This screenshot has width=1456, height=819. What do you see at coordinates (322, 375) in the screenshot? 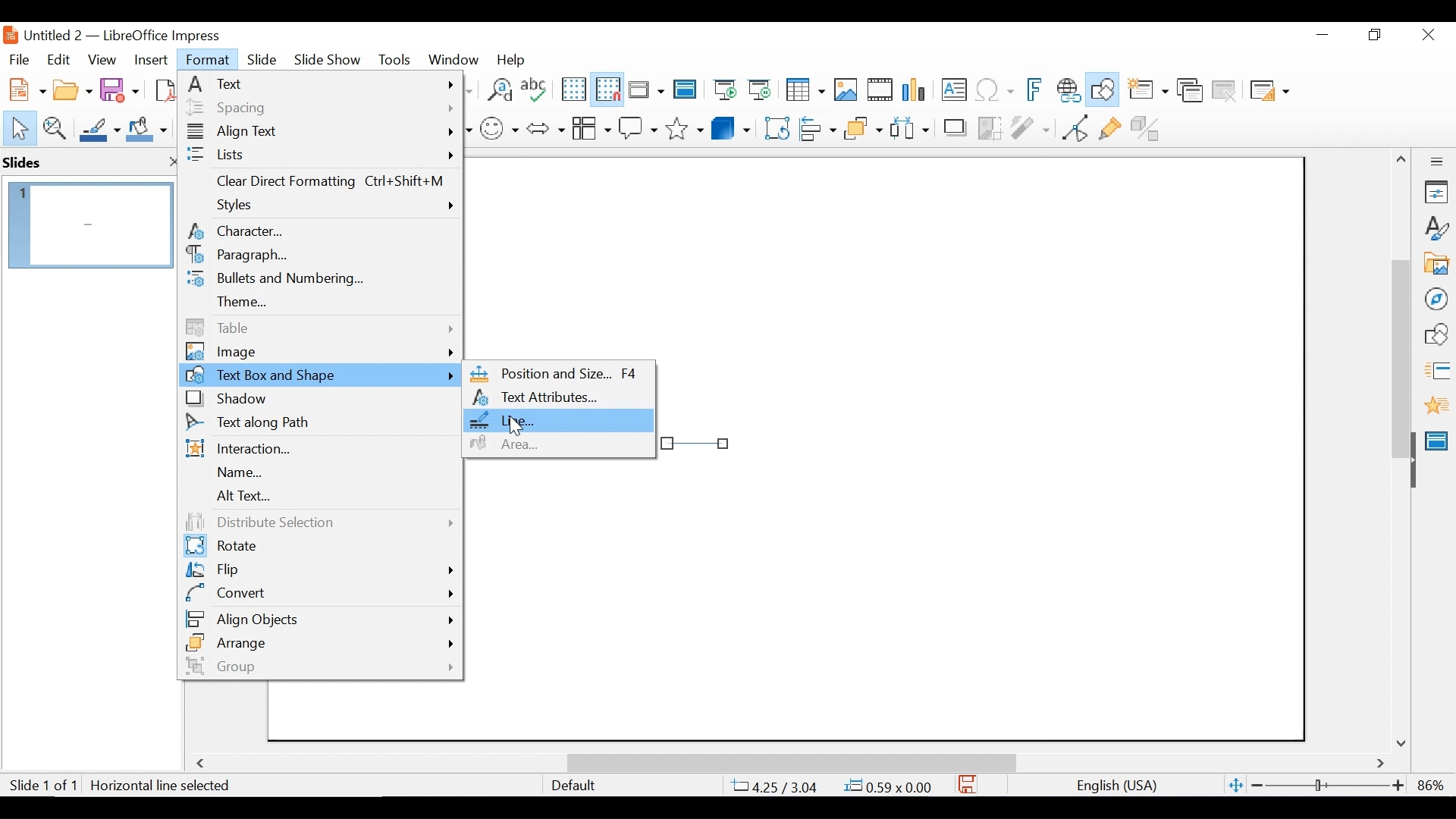
I see `Text Box and Shapes` at bounding box center [322, 375].